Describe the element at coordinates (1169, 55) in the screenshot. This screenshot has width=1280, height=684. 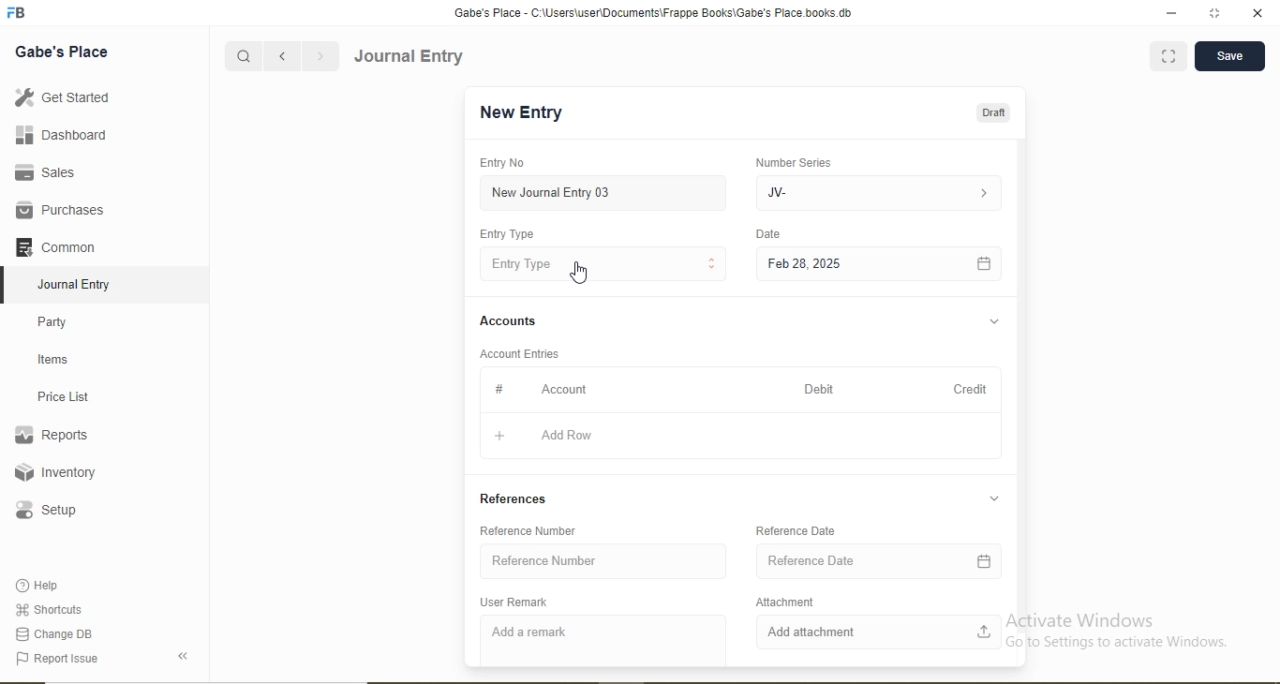
I see `Full screen` at that location.